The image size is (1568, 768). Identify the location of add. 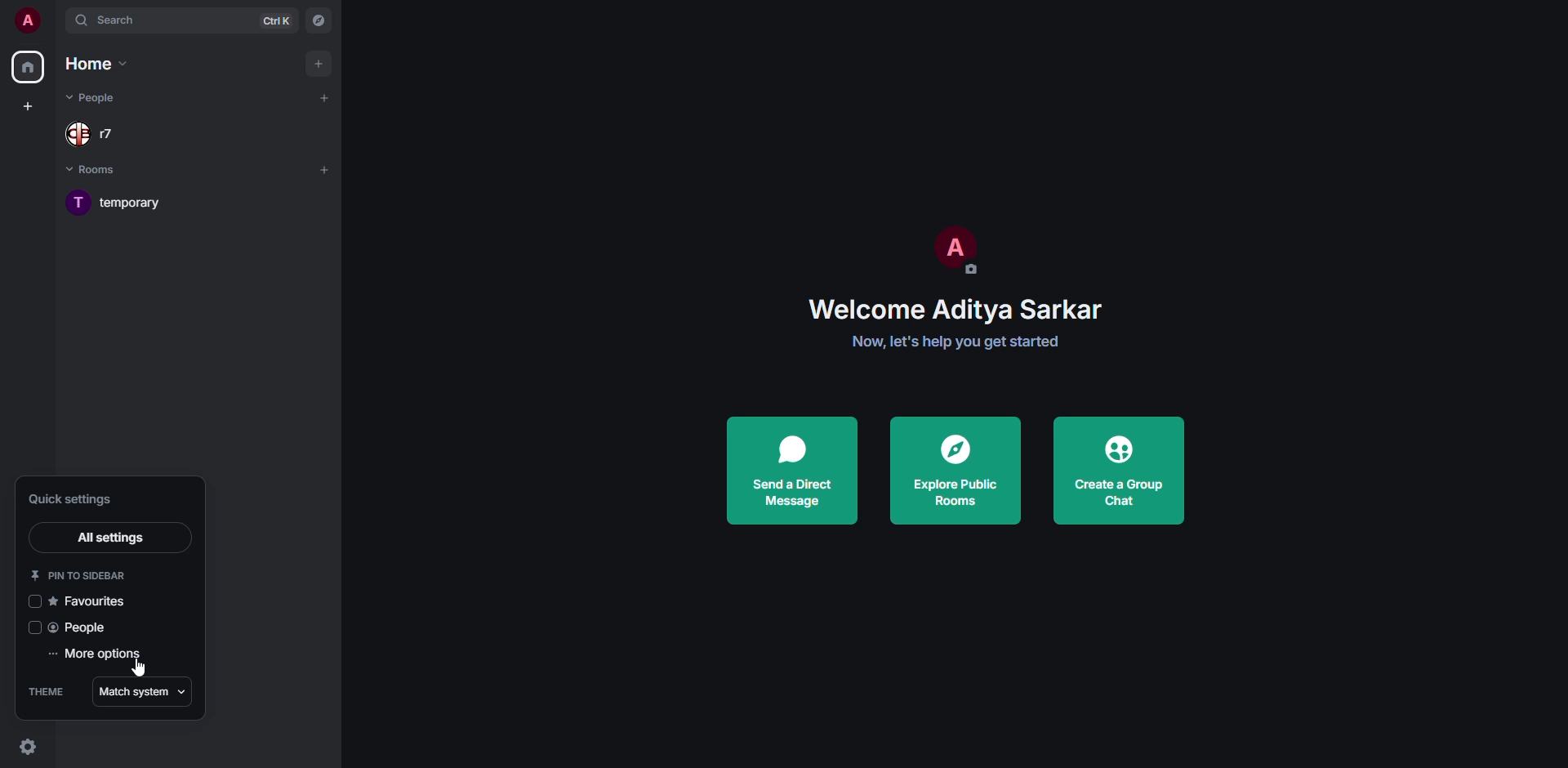
(323, 170).